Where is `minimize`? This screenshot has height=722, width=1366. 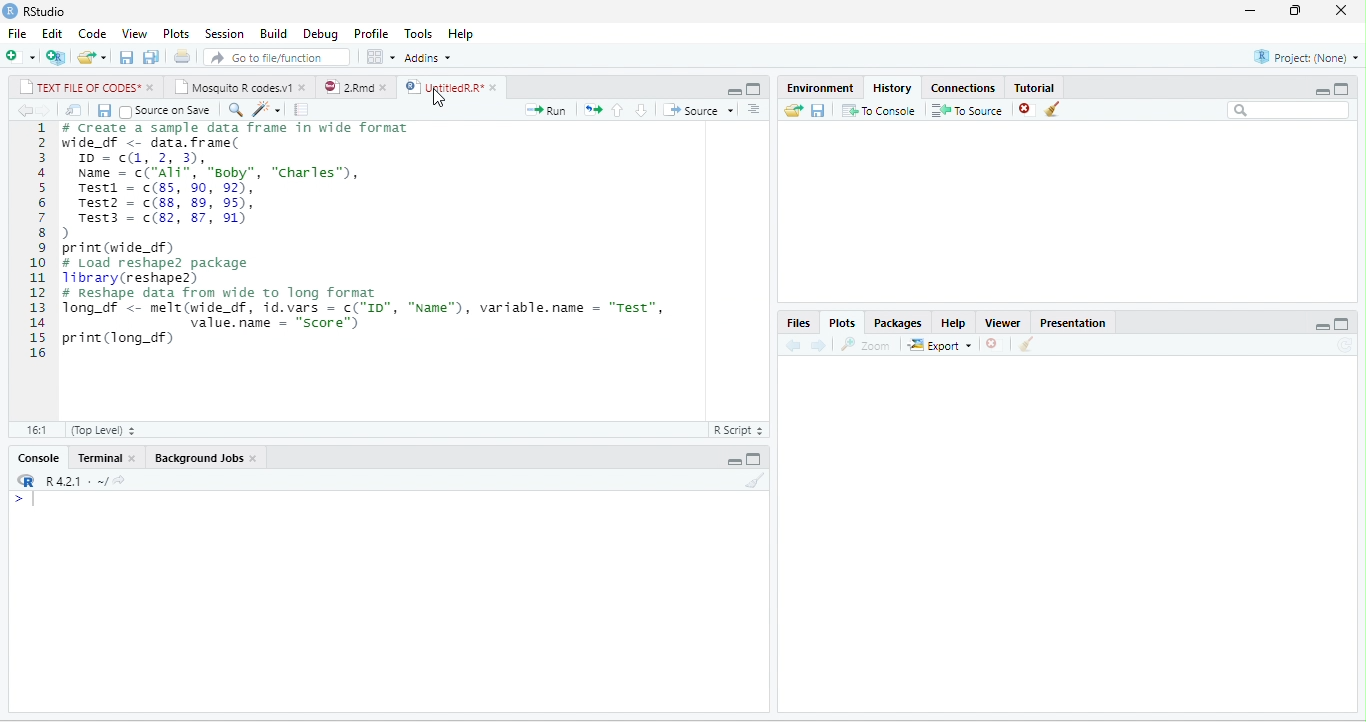
minimize is located at coordinates (1249, 12).